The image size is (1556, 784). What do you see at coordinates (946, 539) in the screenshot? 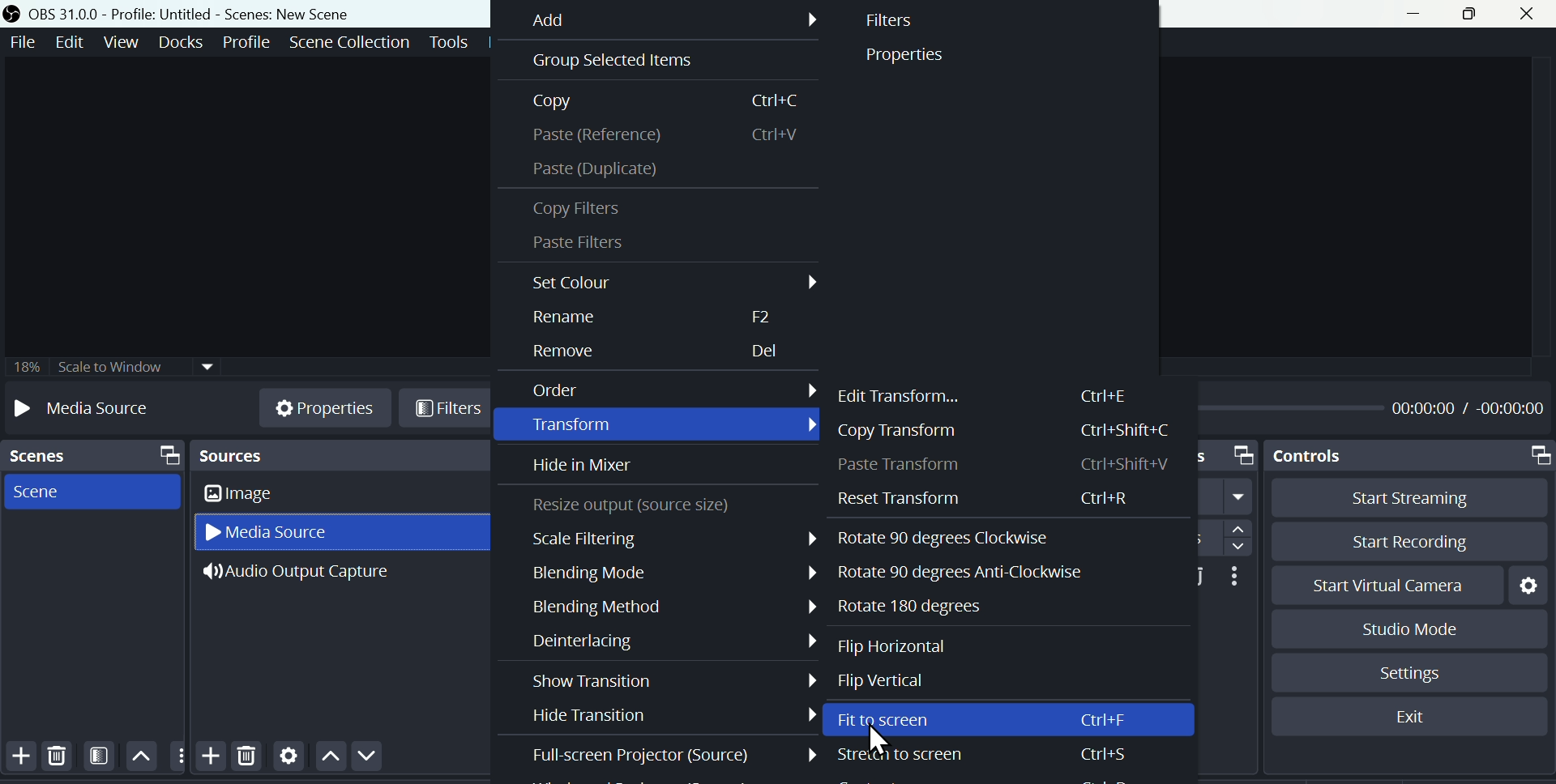
I see `Rotate 90 degrees clockwise` at bounding box center [946, 539].